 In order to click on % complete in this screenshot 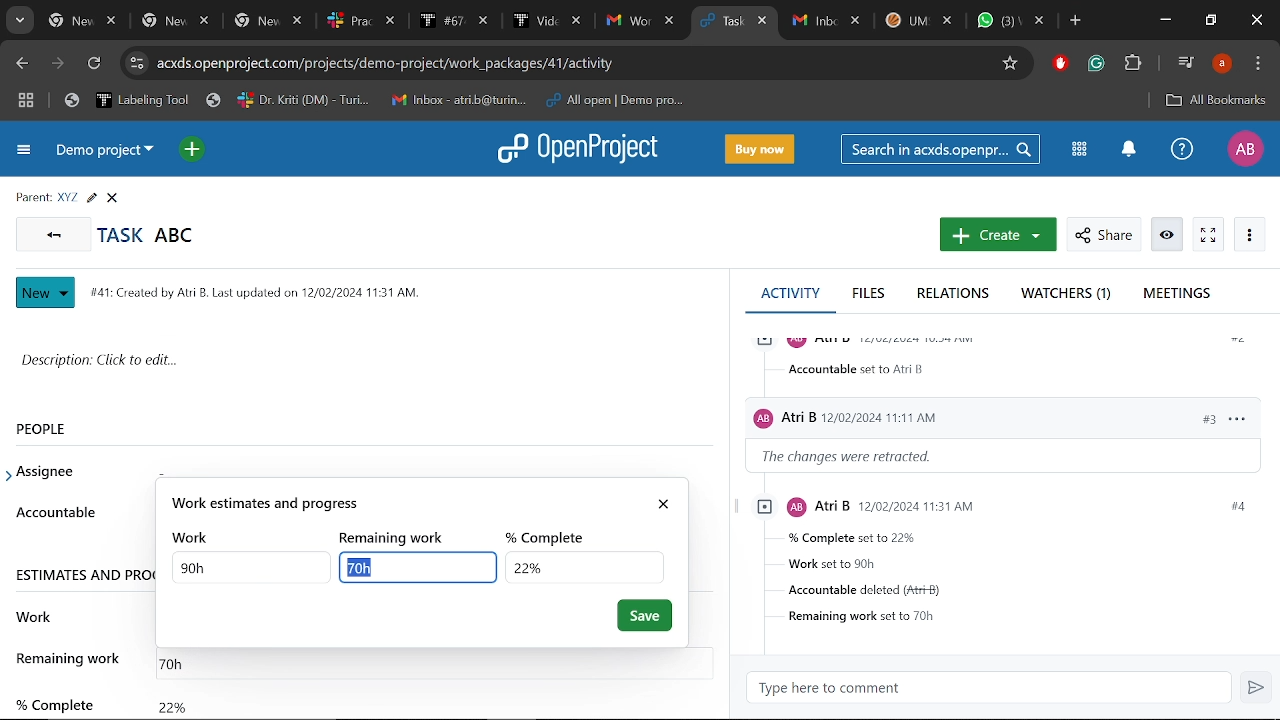, I will do `click(53, 696)`.